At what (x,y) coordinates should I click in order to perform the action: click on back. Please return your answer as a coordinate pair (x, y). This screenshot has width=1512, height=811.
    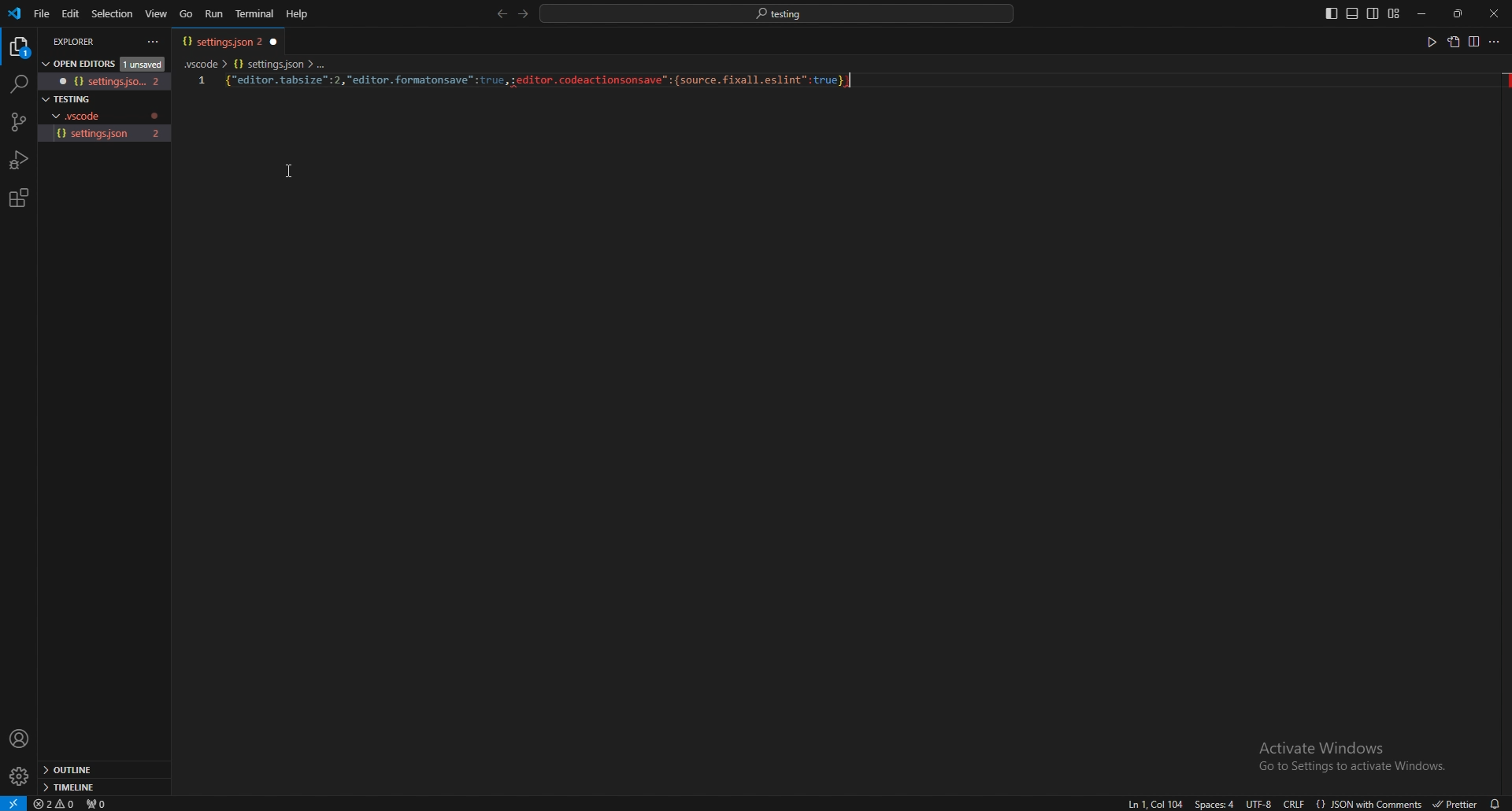
    Looking at the image, I should click on (498, 14).